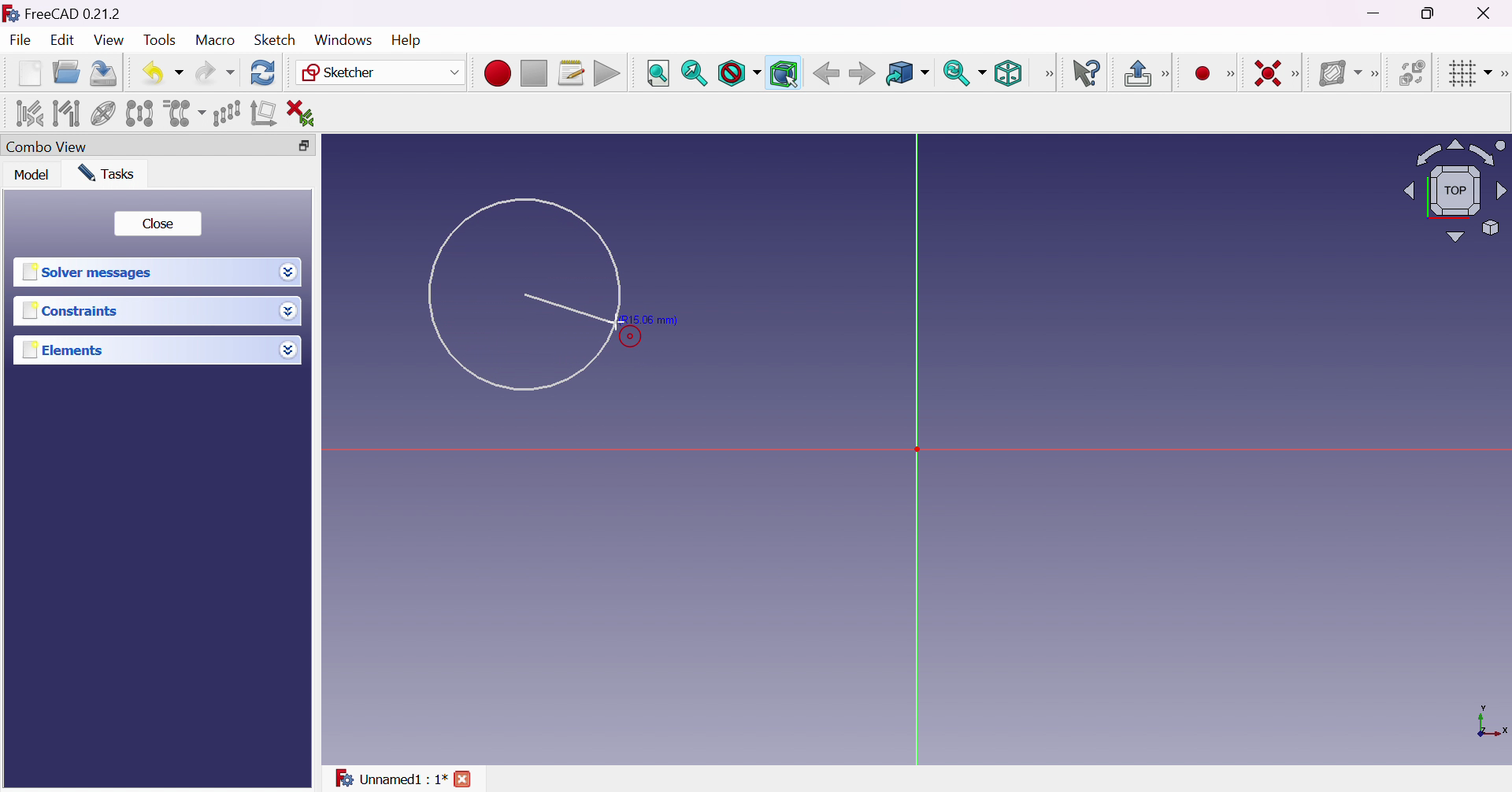 The width and height of the screenshot is (1512, 792). What do you see at coordinates (27, 113) in the screenshot?
I see `Select associated constraints` at bounding box center [27, 113].